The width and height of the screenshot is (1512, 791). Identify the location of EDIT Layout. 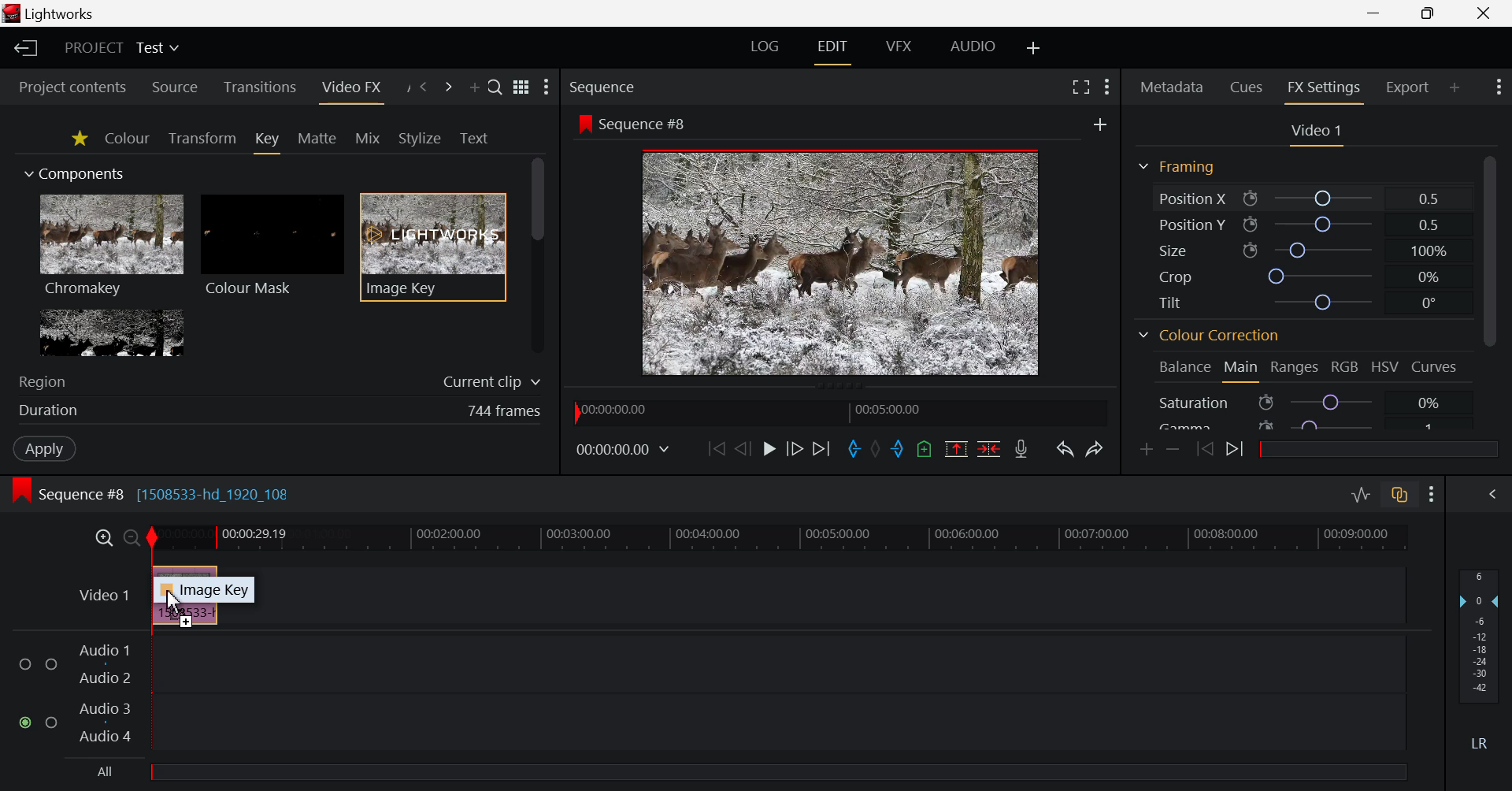
(832, 50).